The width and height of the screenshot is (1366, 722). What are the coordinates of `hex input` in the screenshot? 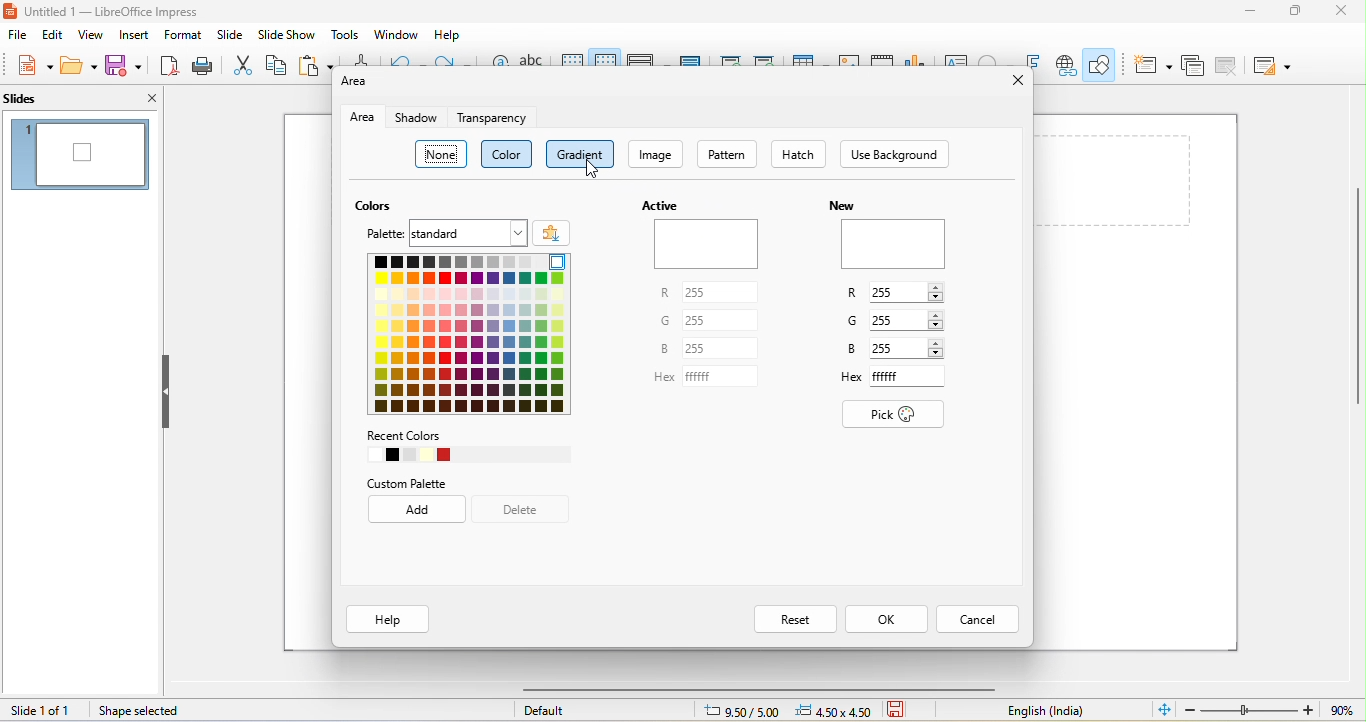 It's located at (723, 376).